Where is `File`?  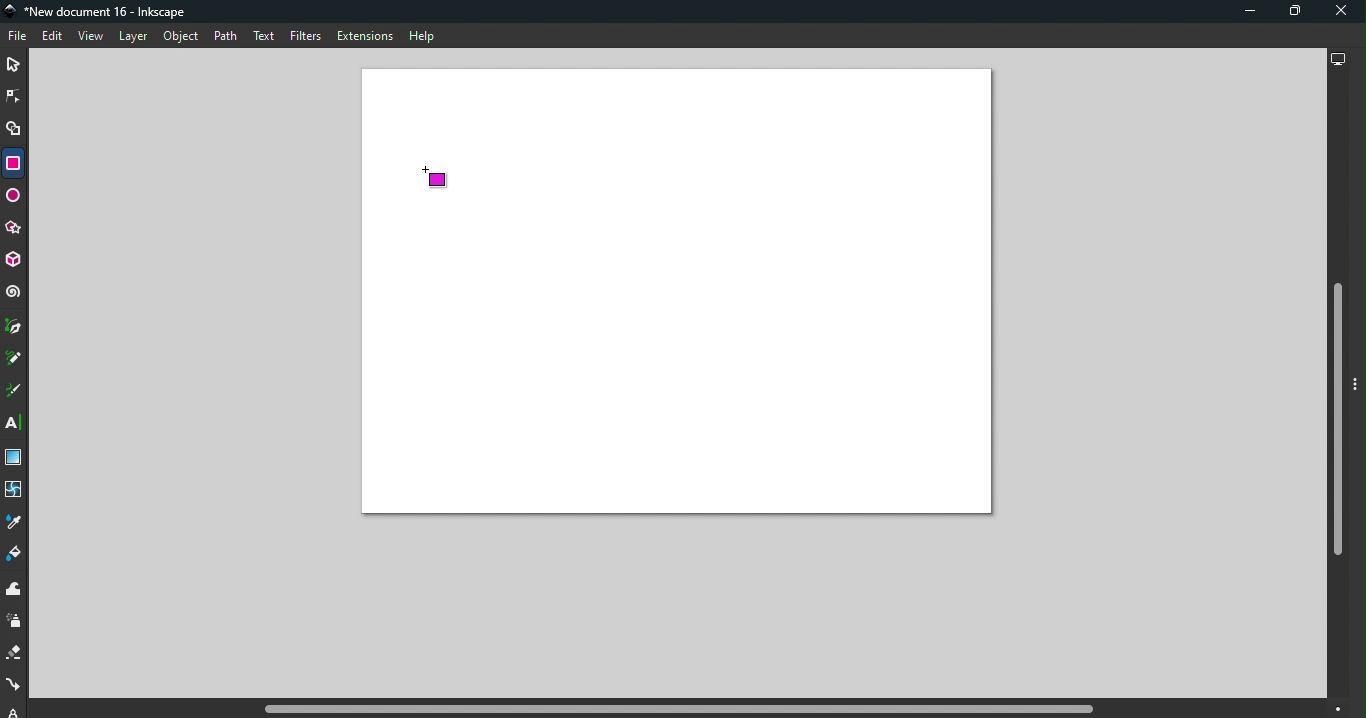 File is located at coordinates (20, 37).